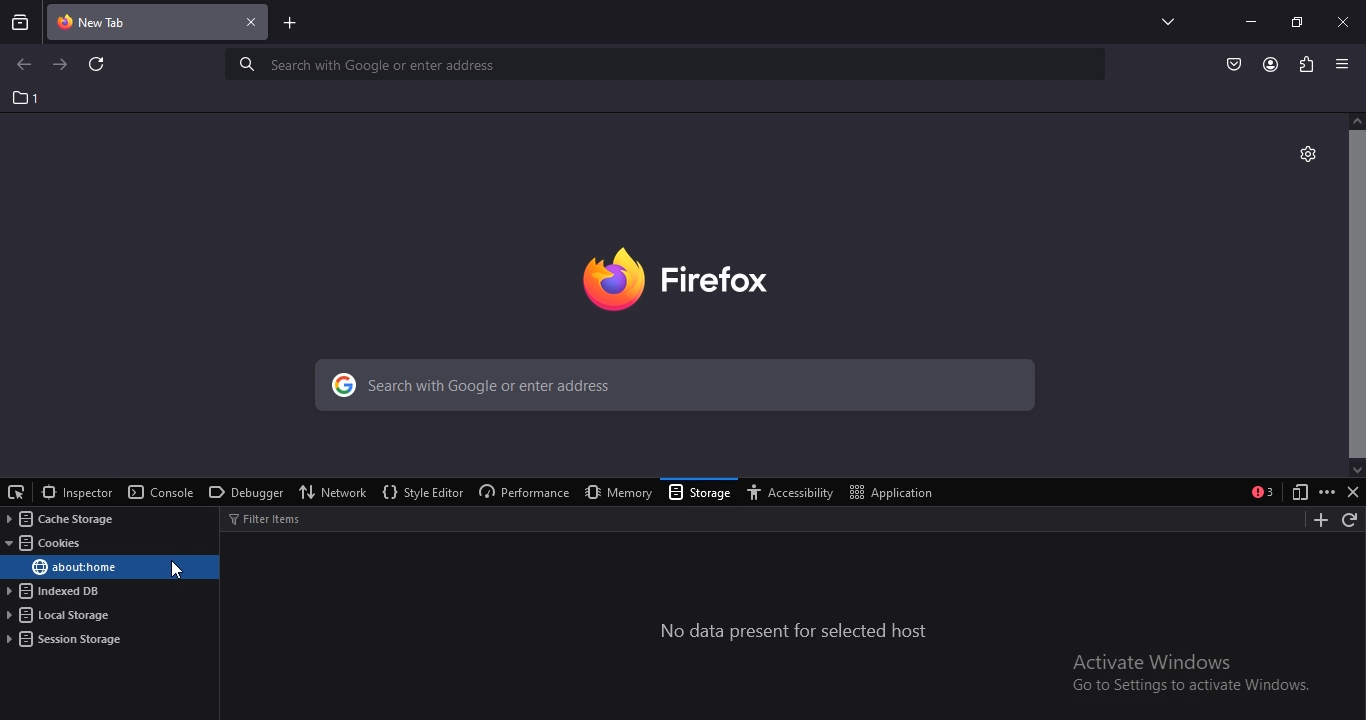 This screenshot has width=1366, height=720. I want to click on indexed DB, so click(57, 592).